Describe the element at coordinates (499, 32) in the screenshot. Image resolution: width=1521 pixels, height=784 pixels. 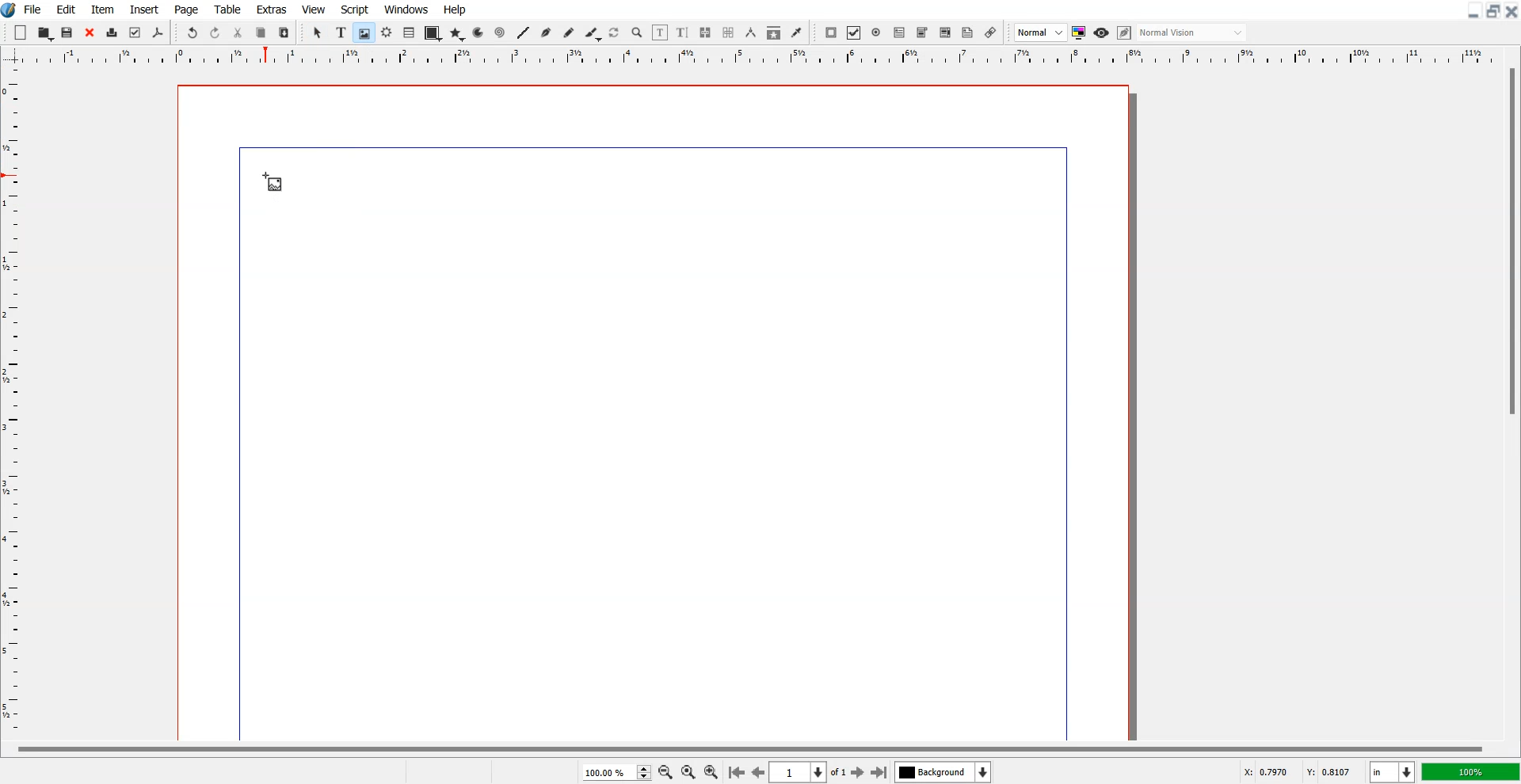
I see `Spiral` at that location.